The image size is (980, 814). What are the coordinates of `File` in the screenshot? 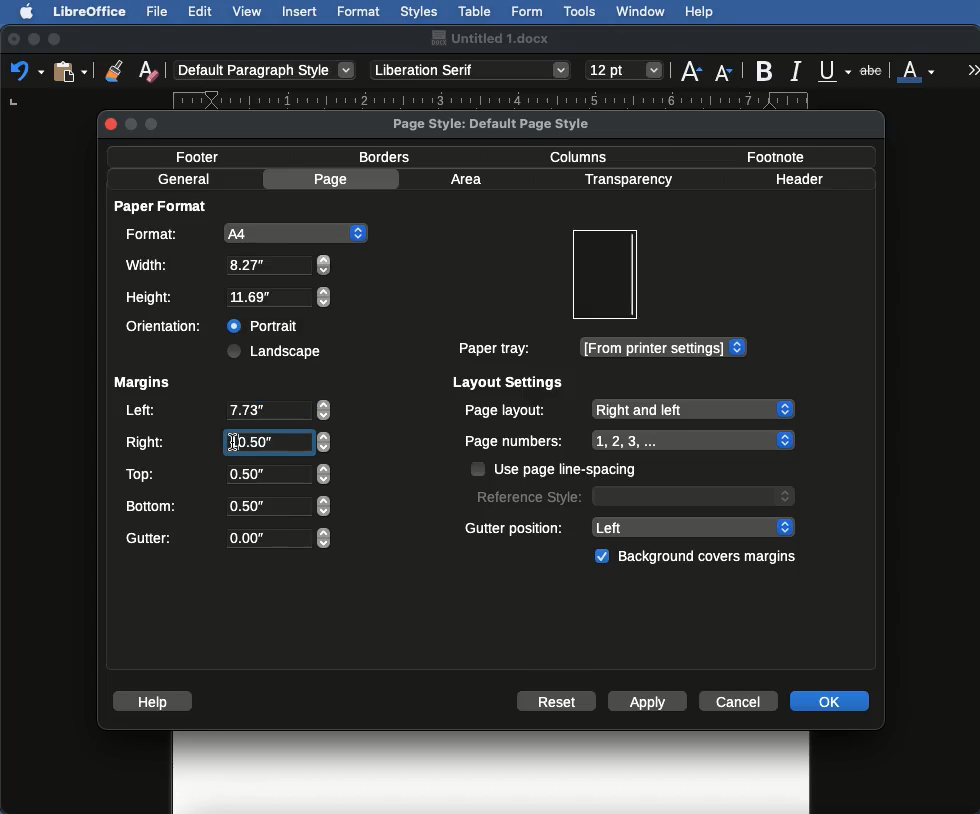 It's located at (159, 11).